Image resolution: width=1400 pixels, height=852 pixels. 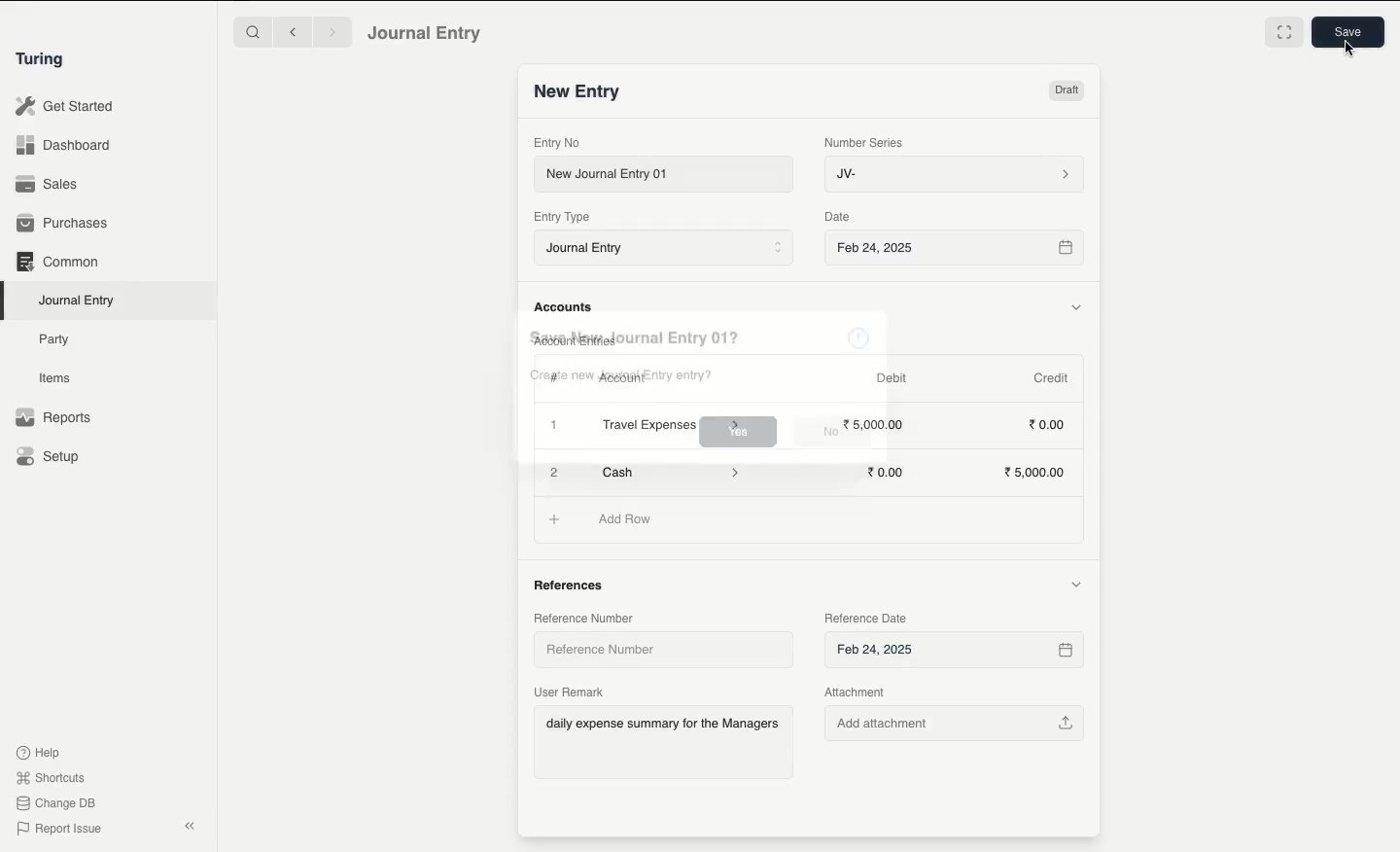 What do you see at coordinates (867, 143) in the screenshot?
I see `Number Series` at bounding box center [867, 143].